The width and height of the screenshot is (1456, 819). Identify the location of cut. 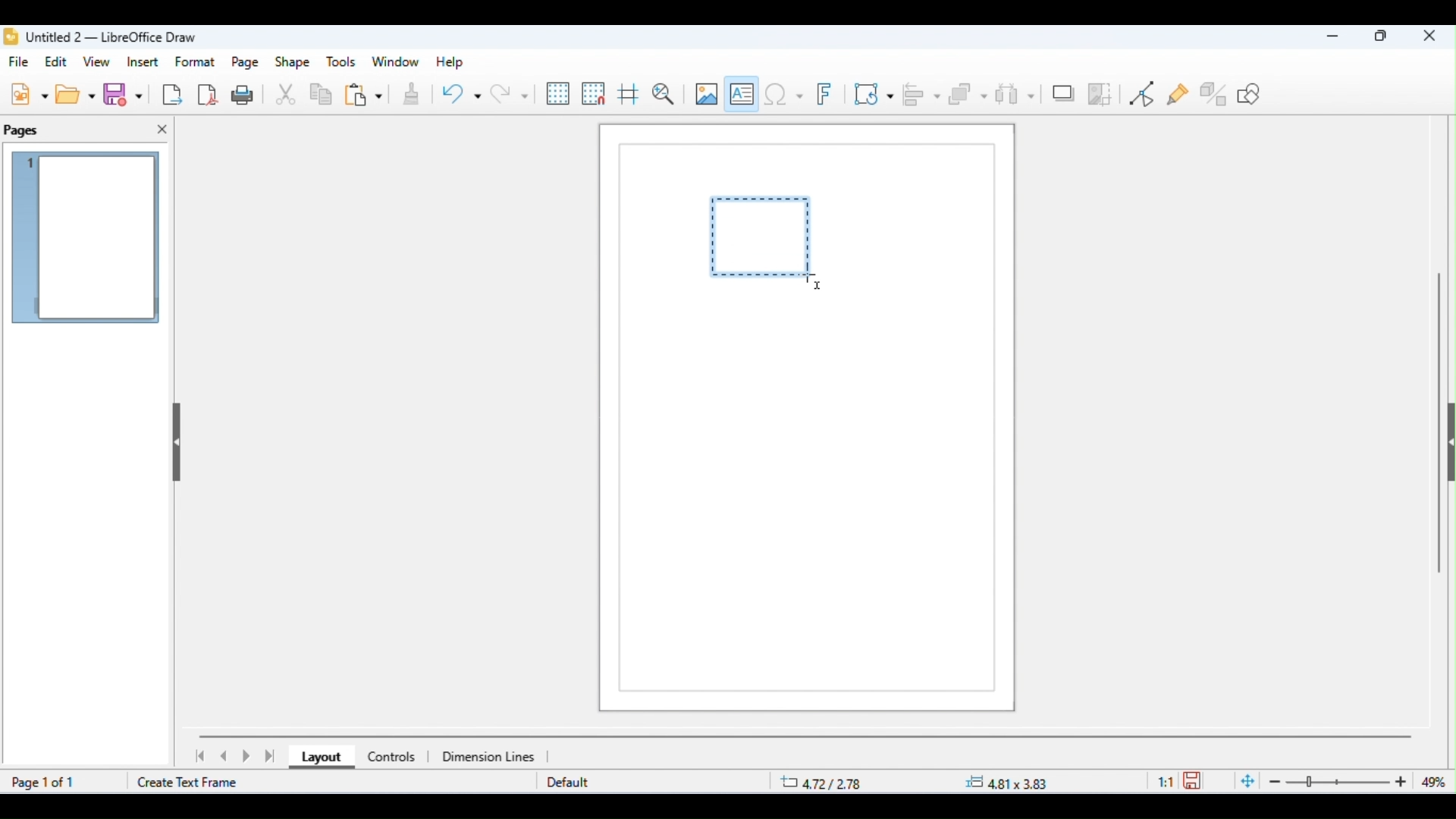
(287, 96).